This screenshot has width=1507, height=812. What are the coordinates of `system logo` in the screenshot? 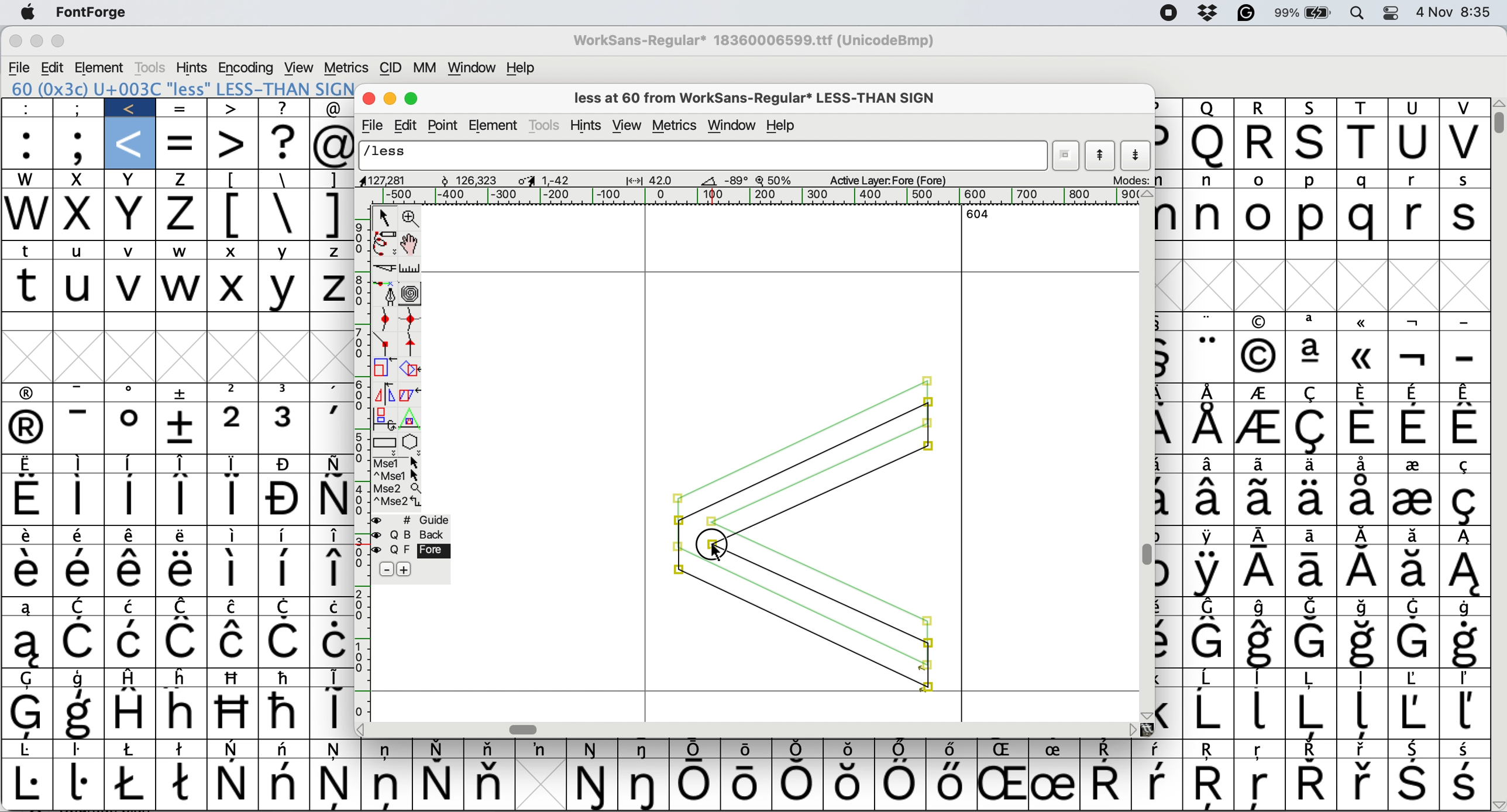 It's located at (29, 12).